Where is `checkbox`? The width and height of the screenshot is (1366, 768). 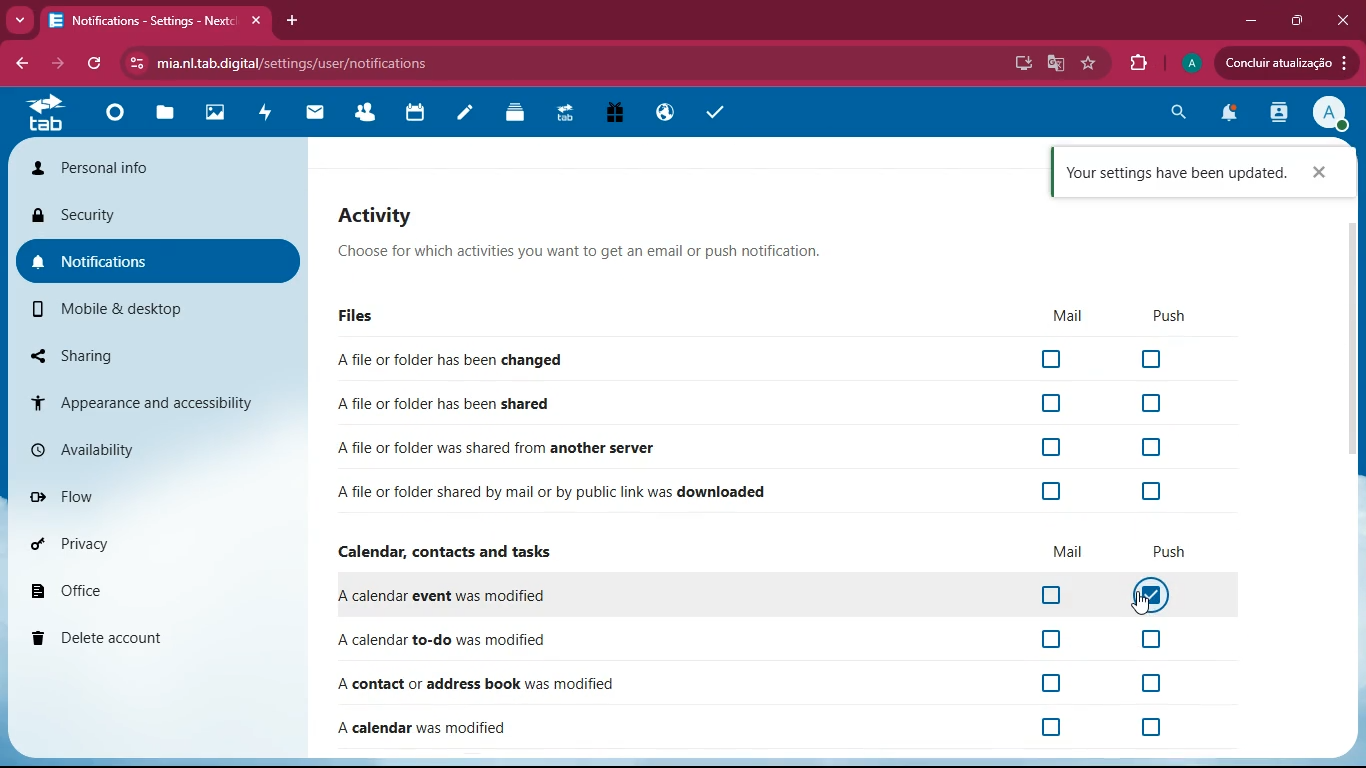 checkbox is located at coordinates (1151, 449).